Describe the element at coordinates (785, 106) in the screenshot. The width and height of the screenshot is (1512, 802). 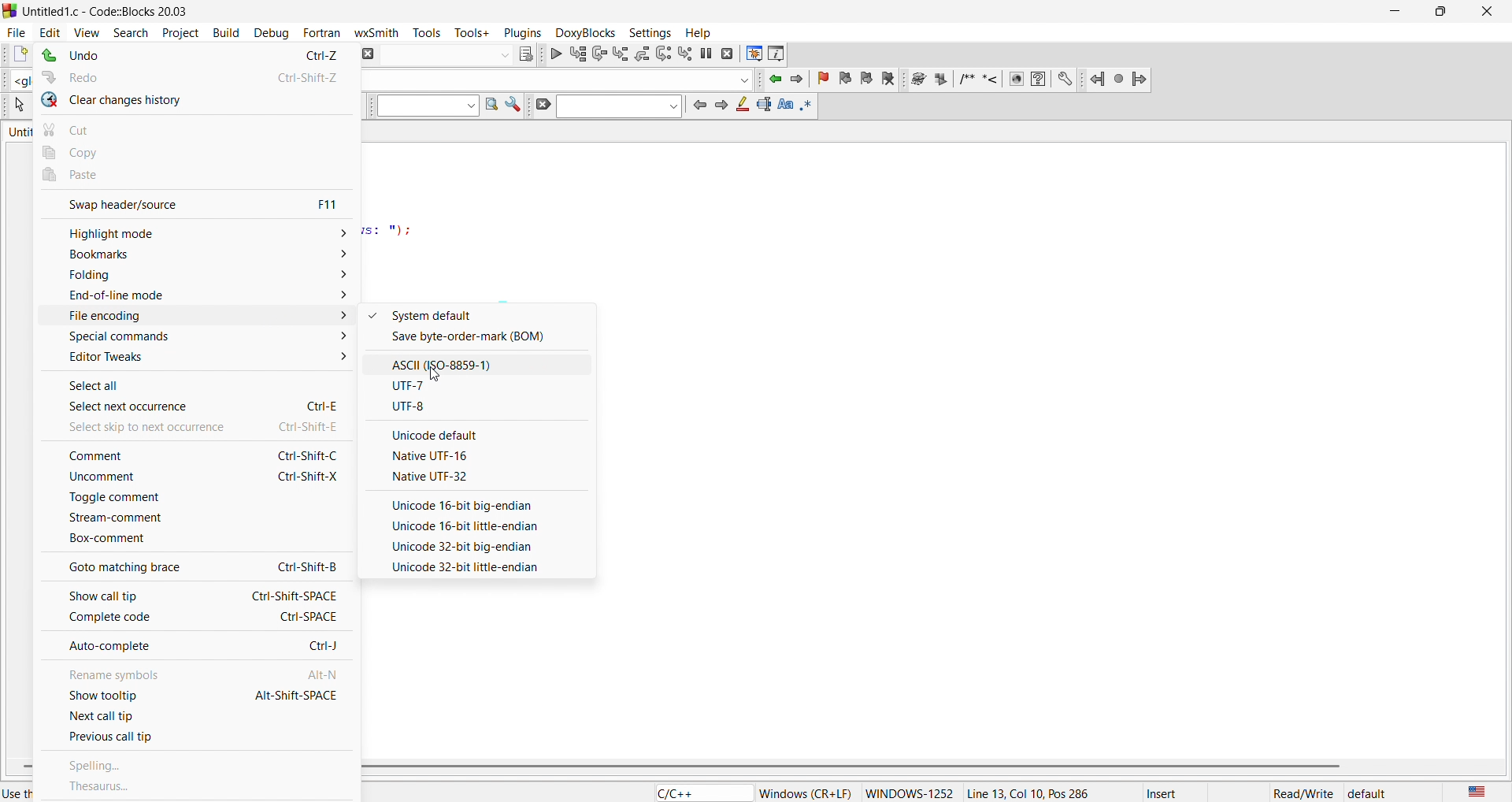
I see `Match text` at that location.